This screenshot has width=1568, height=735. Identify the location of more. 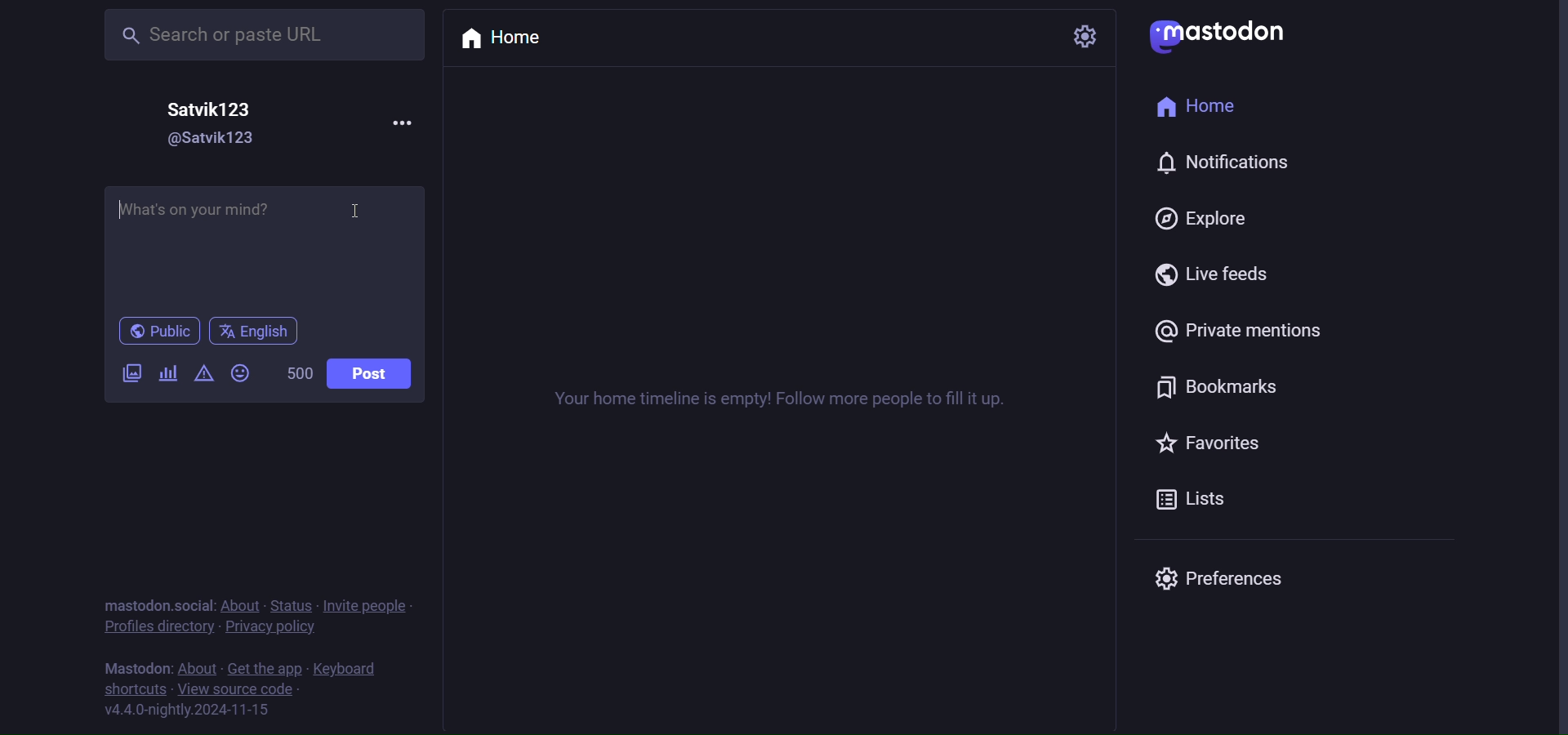
(393, 121).